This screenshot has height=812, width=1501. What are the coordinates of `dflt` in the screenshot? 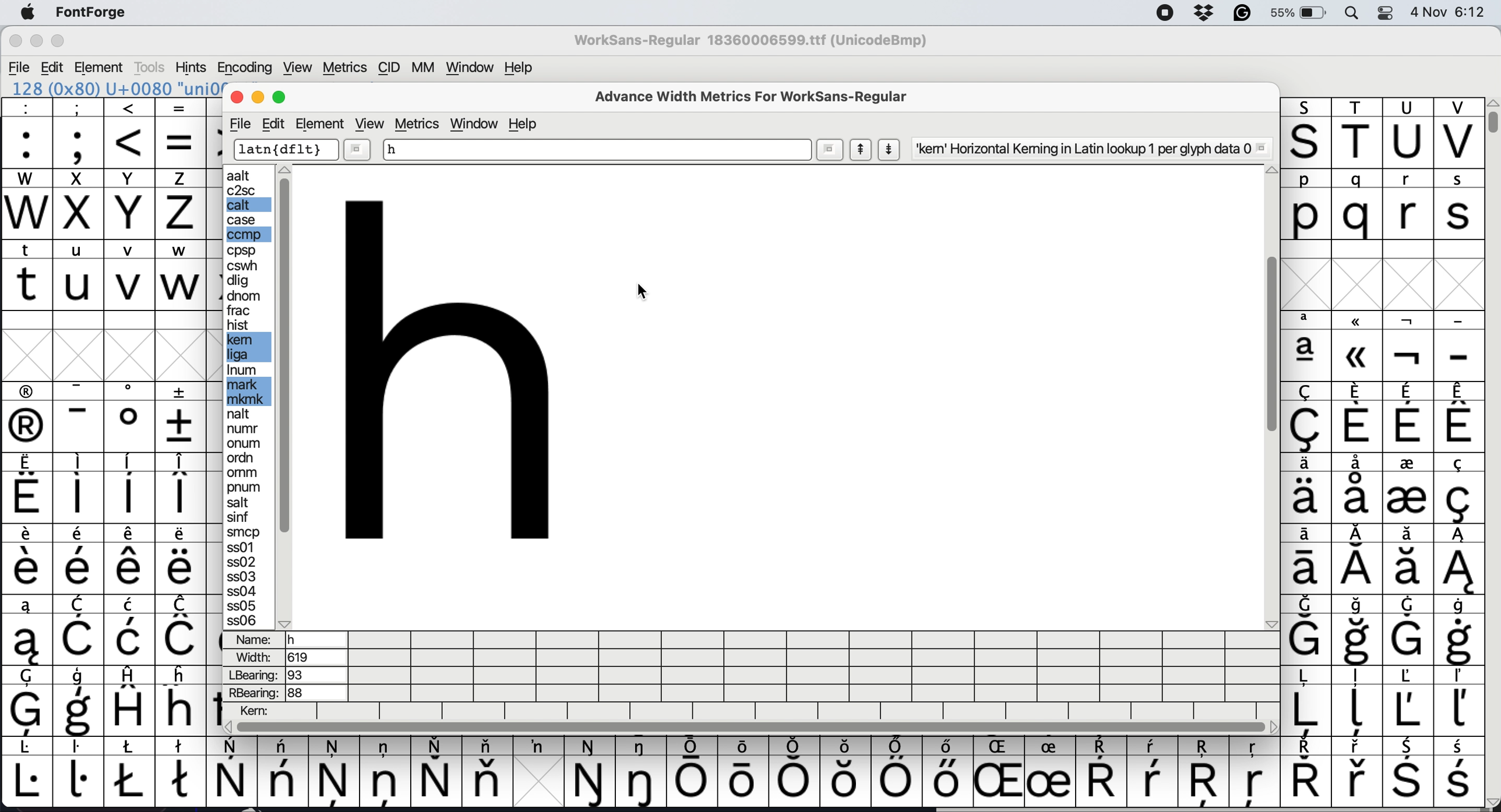 It's located at (286, 150).